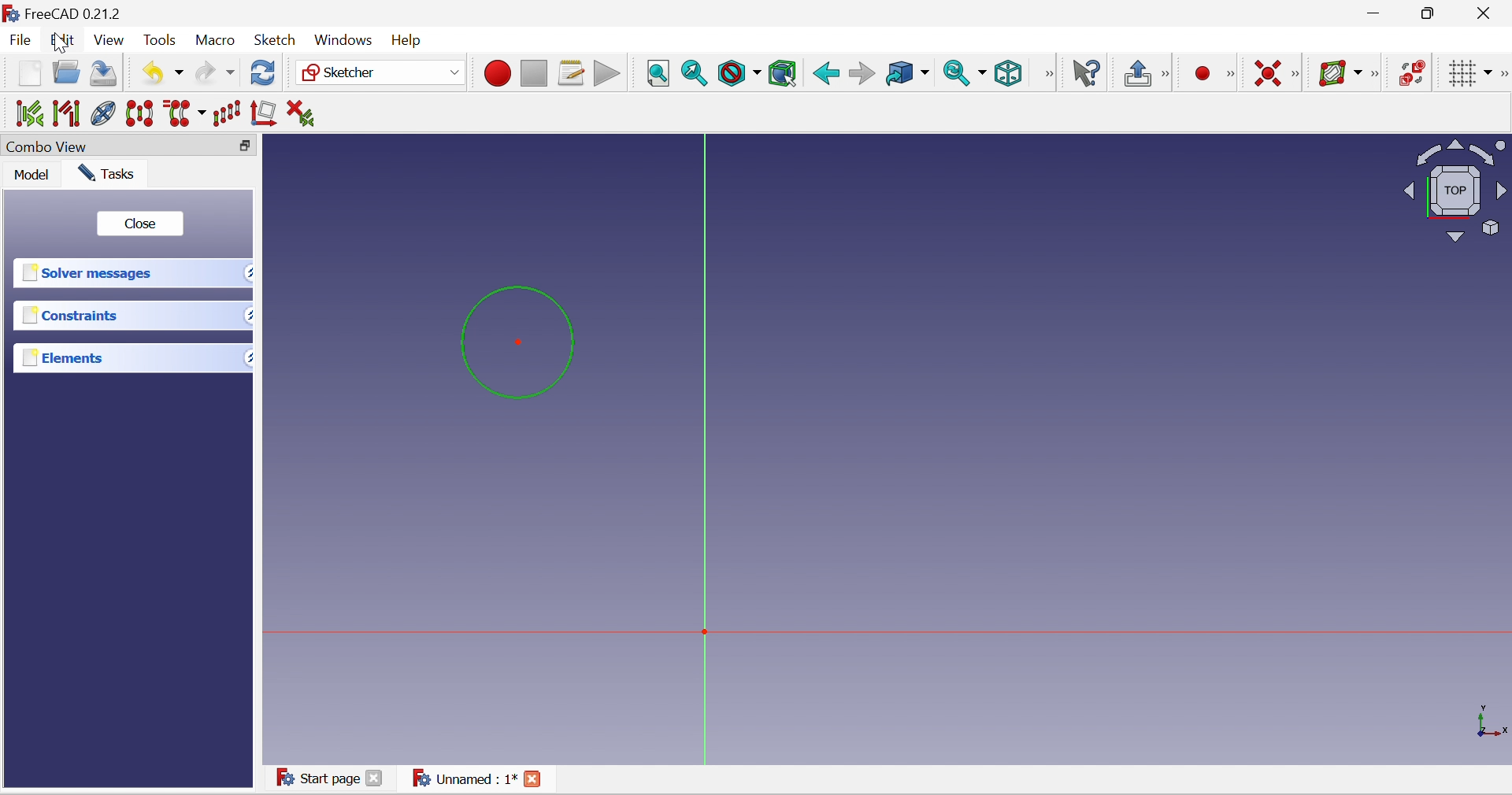 This screenshot has height=795, width=1512. What do you see at coordinates (245, 272) in the screenshot?
I see `Drop down` at bounding box center [245, 272].